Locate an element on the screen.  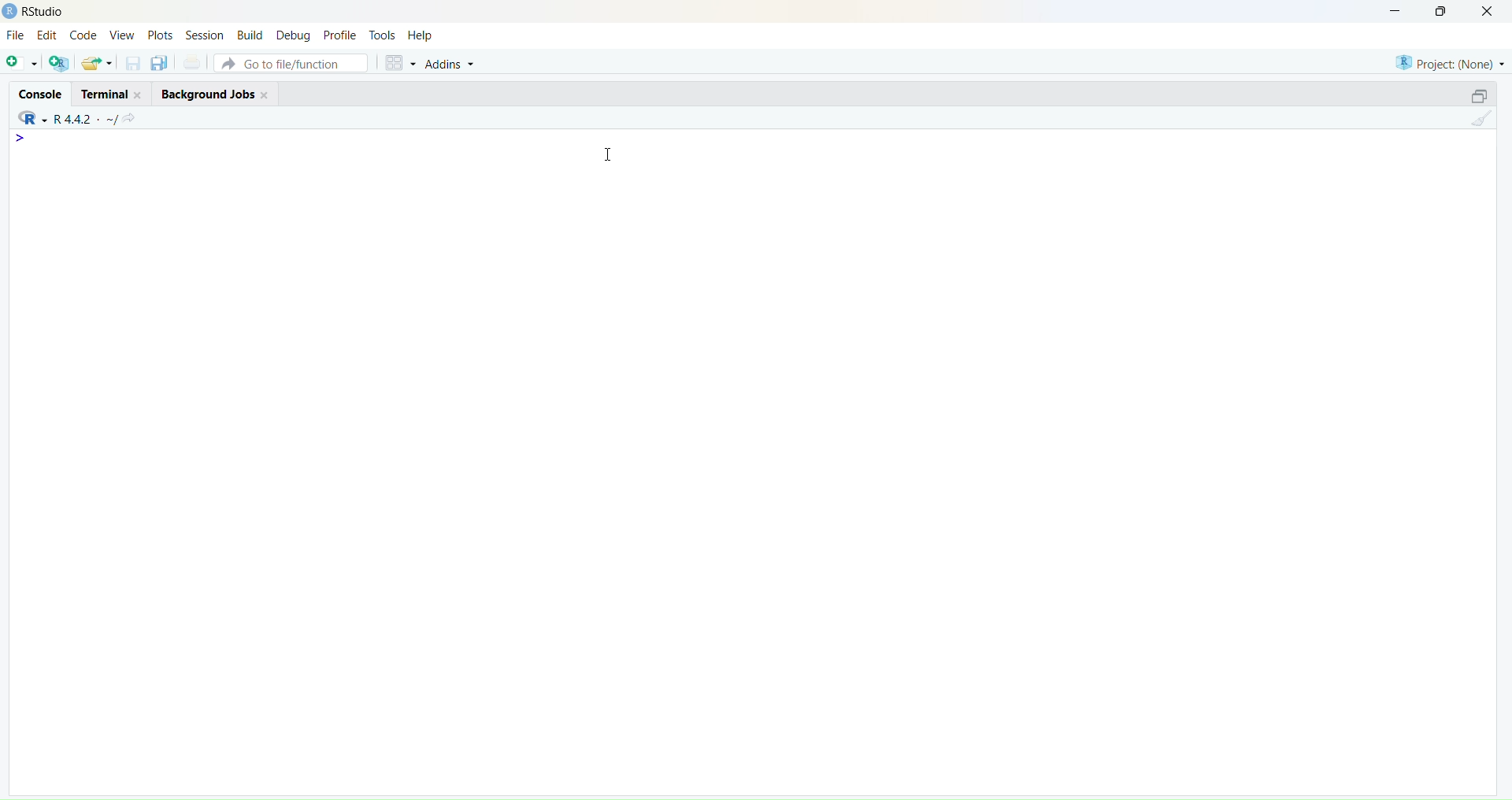
Project: (None) is located at coordinates (1450, 61).